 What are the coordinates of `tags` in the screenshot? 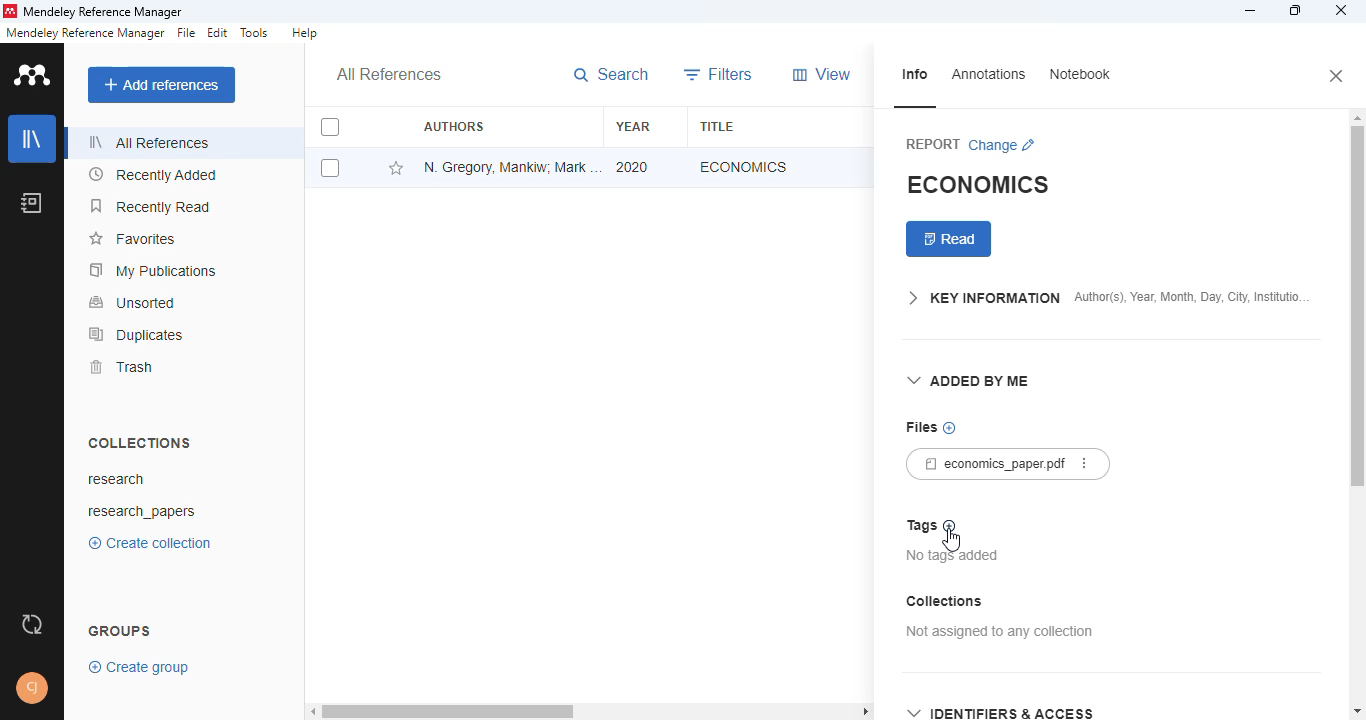 It's located at (921, 526).